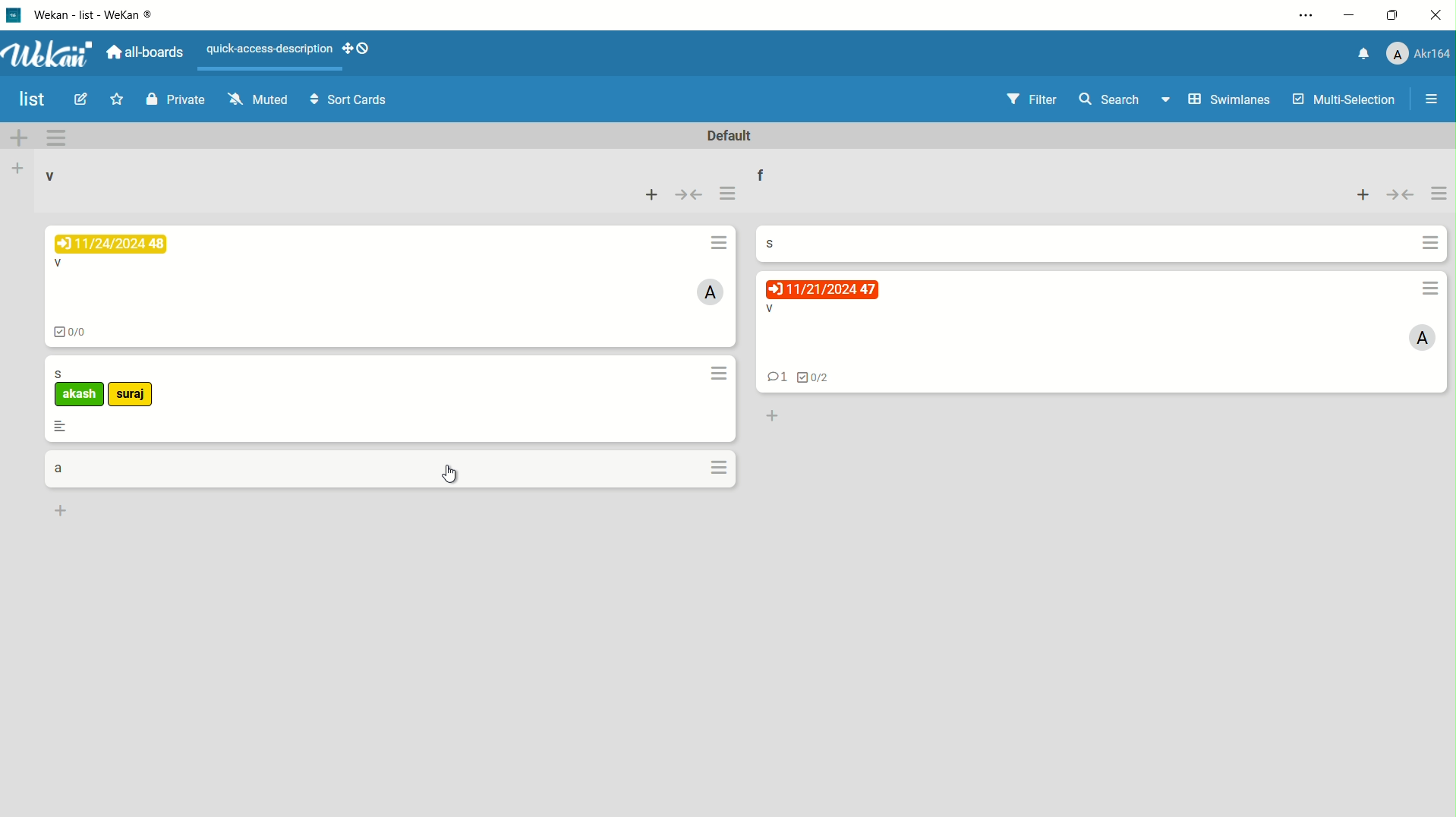  I want to click on due date, so click(821, 289).